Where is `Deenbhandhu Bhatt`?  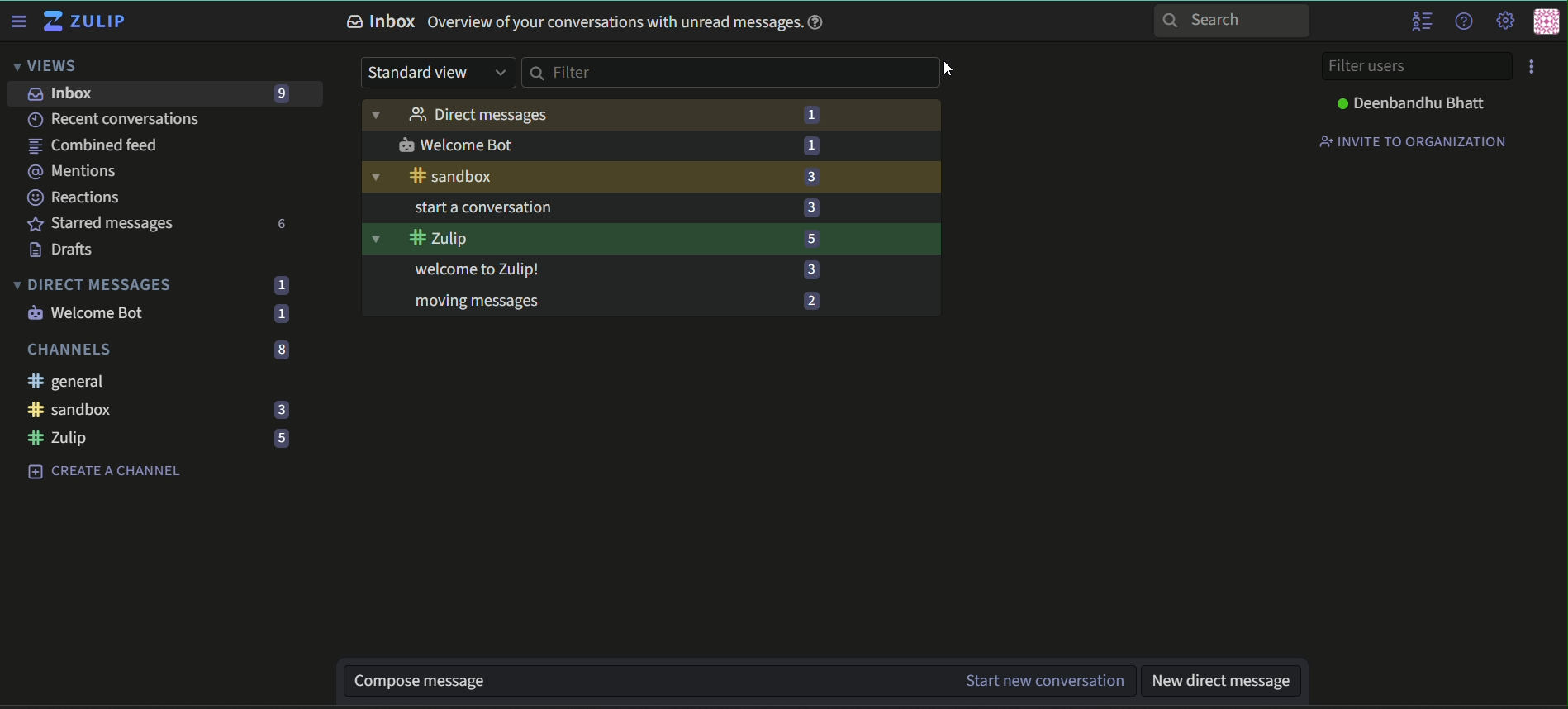
Deenbhandhu Bhatt is located at coordinates (1414, 102).